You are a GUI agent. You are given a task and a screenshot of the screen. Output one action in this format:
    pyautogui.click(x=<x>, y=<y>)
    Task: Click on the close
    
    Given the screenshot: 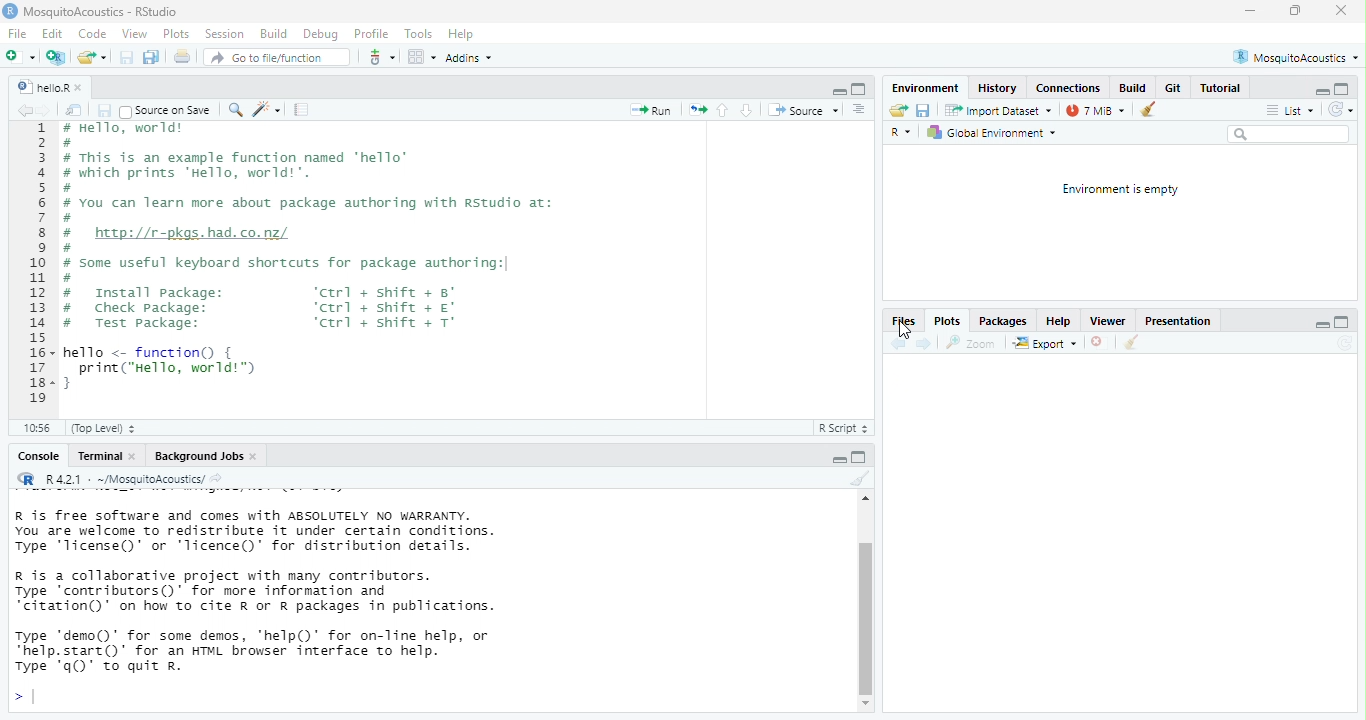 What is the action you would take?
    pyautogui.click(x=84, y=85)
    